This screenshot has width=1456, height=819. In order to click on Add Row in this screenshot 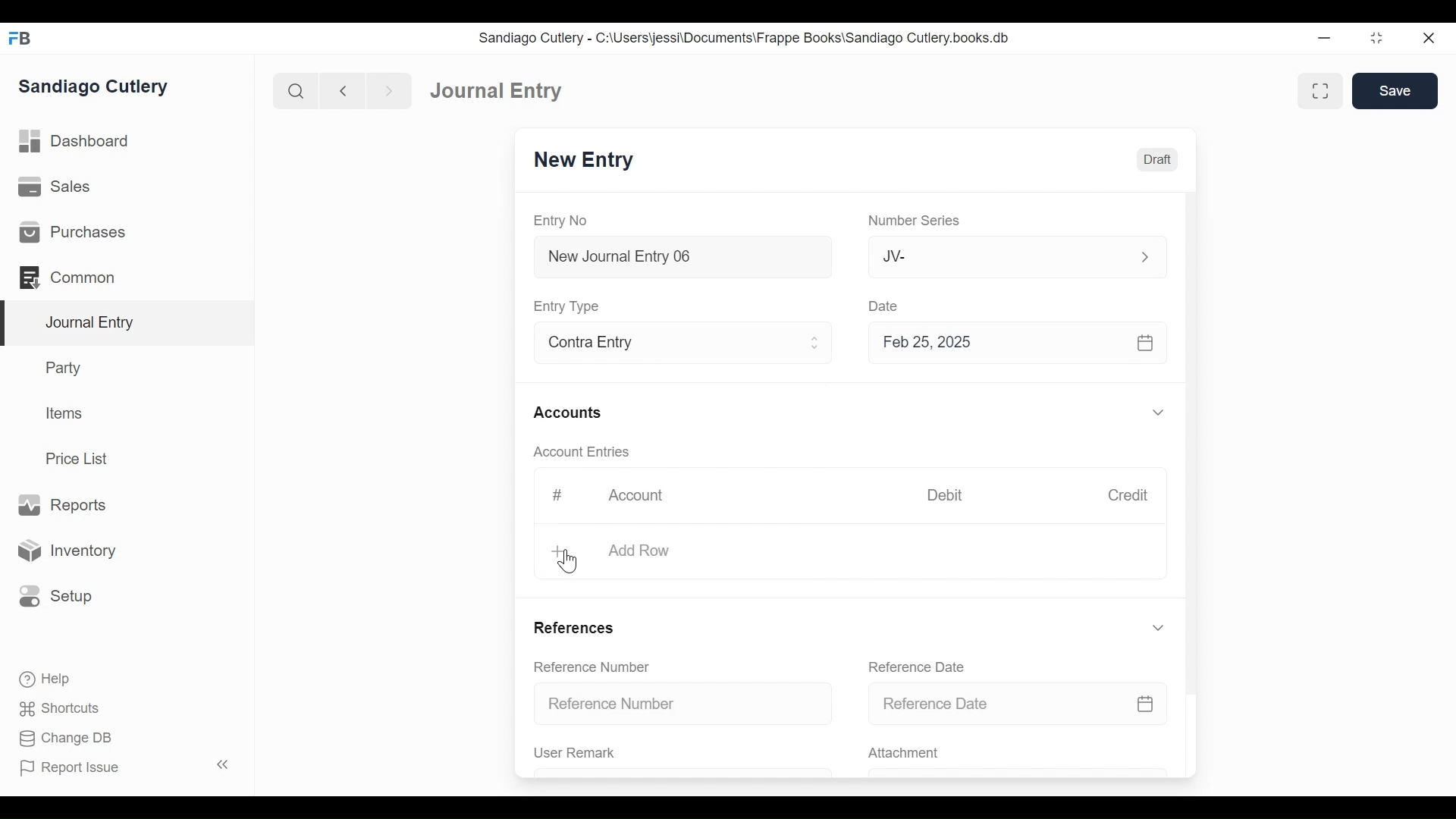, I will do `click(637, 551)`.